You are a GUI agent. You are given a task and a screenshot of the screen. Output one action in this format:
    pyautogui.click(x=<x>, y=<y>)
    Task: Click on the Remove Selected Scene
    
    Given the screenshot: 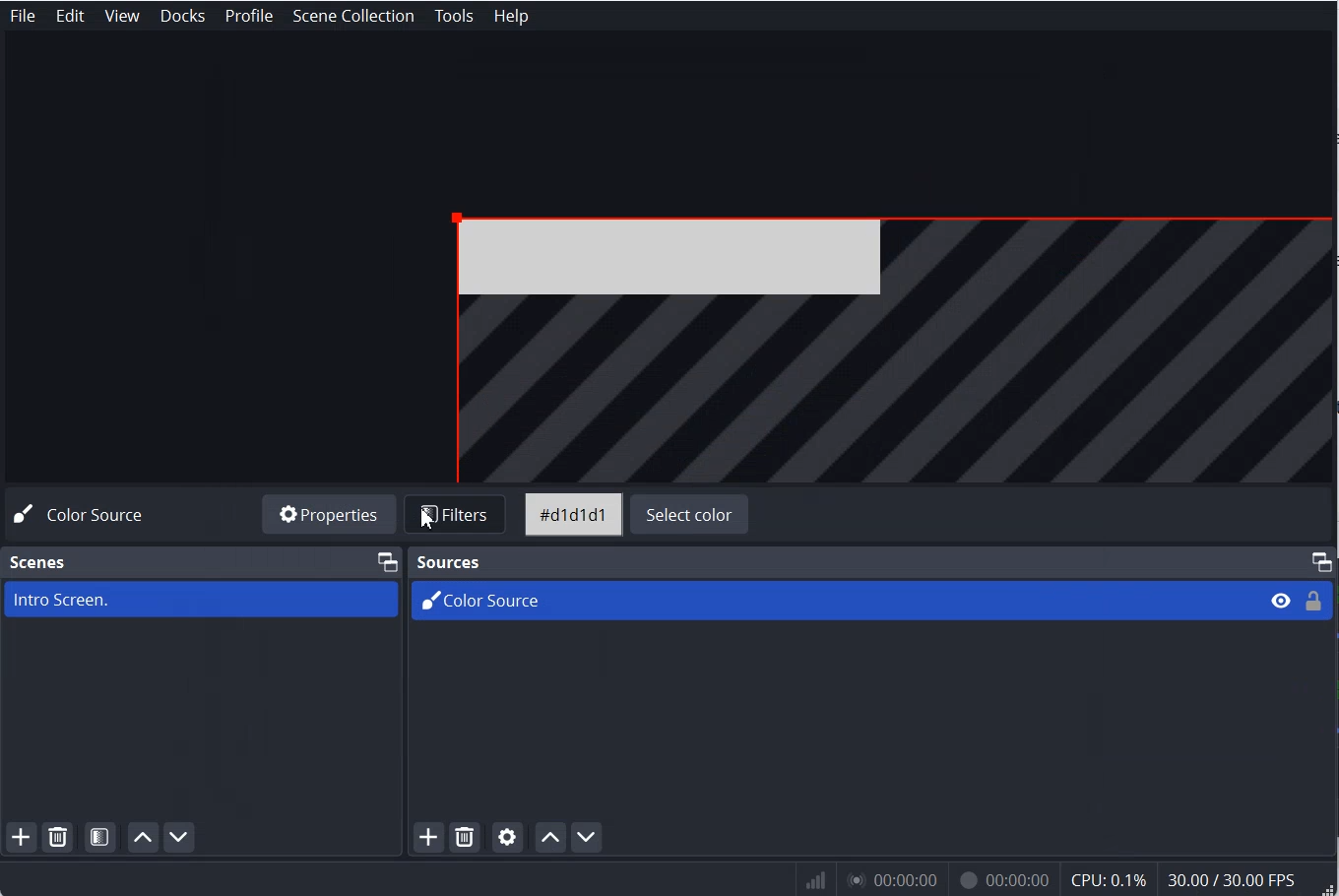 What is the action you would take?
    pyautogui.click(x=62, y=837)
    